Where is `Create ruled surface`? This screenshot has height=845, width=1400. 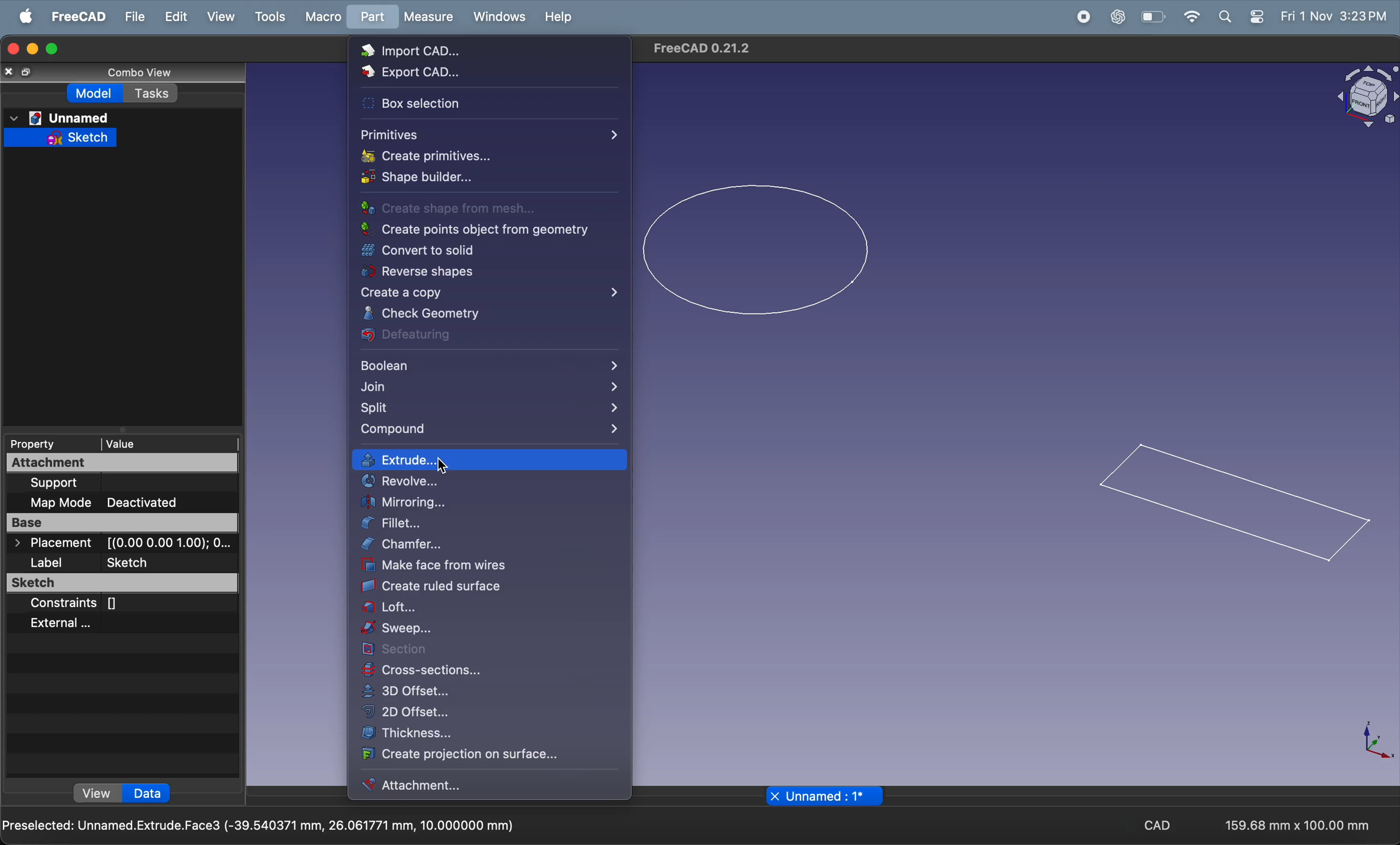
Create ruled surface is located at coordinates (481, 588).